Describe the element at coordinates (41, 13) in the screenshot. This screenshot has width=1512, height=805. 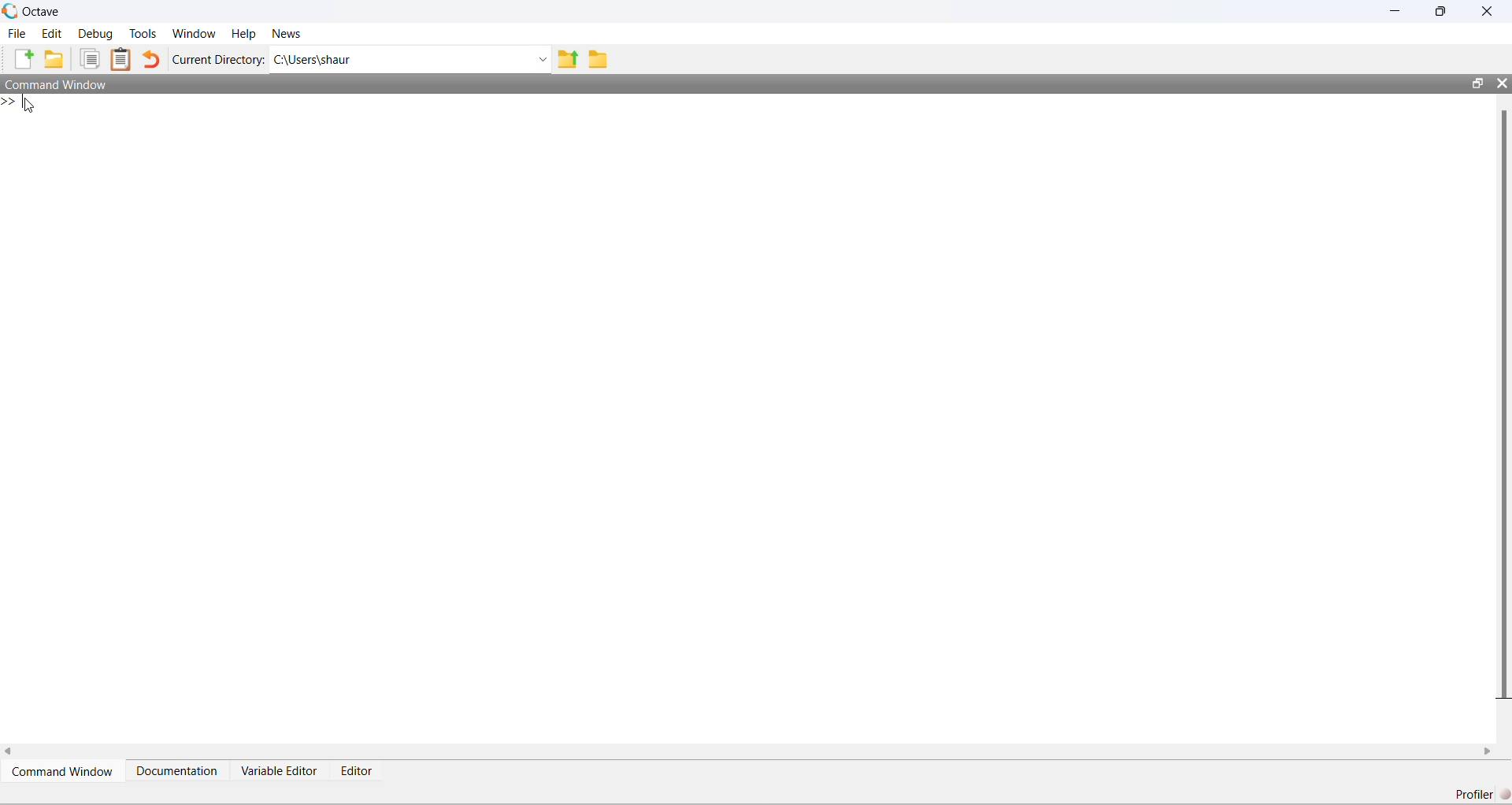
I see `Octave` at that location.